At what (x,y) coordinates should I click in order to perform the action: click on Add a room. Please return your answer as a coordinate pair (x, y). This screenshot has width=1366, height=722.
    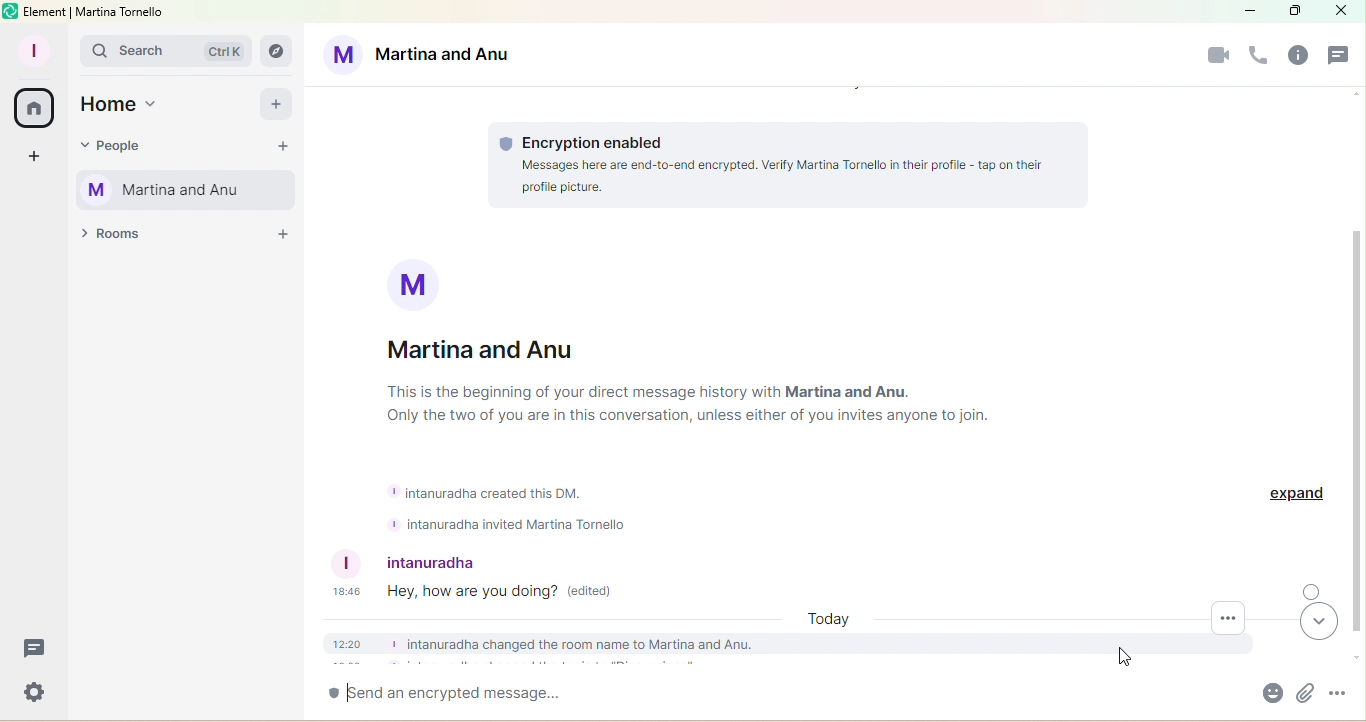
    Looking at the image, I should click on (283, 234).